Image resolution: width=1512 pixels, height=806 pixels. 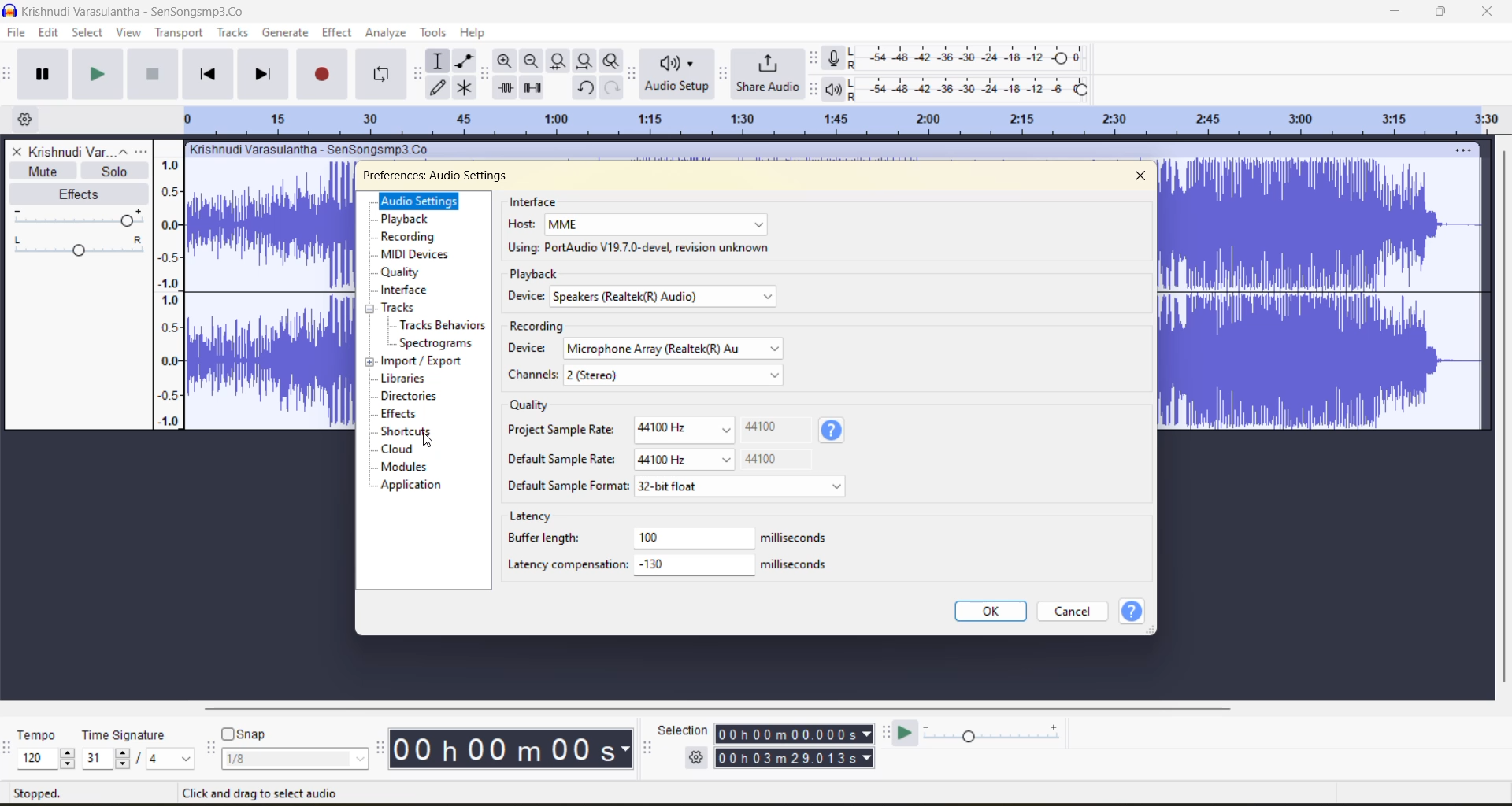 I want to click on generate, so click(x=286, y=34).